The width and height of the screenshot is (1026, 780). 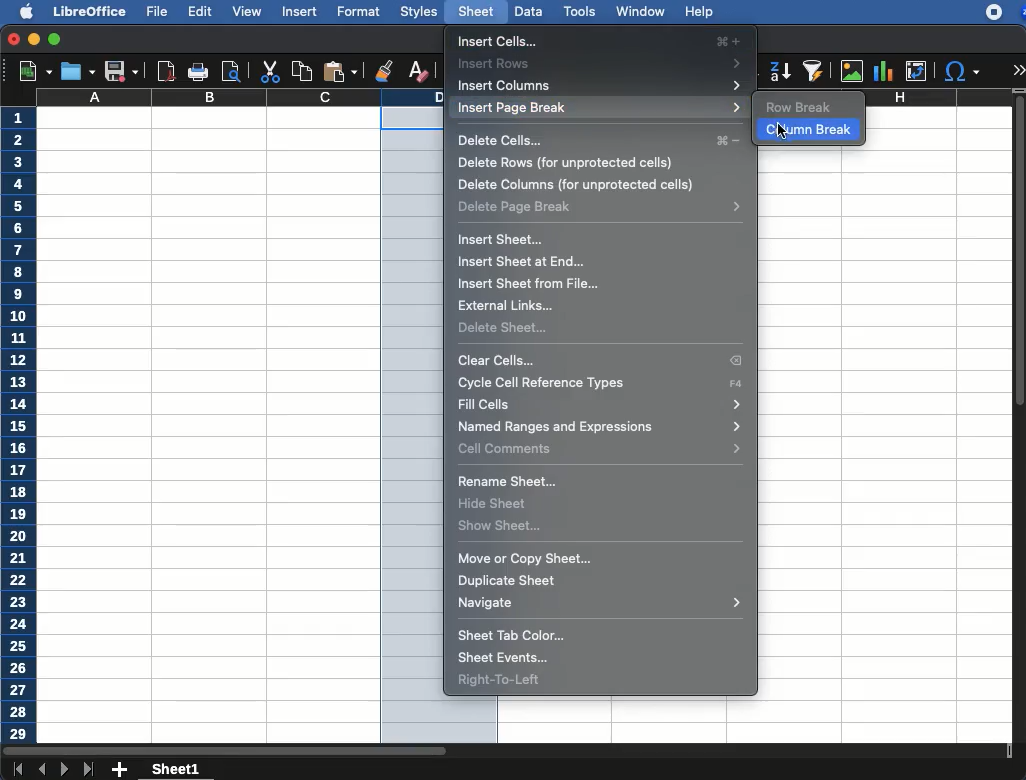 I want to click on sheet events, so click(x=502, y=658).